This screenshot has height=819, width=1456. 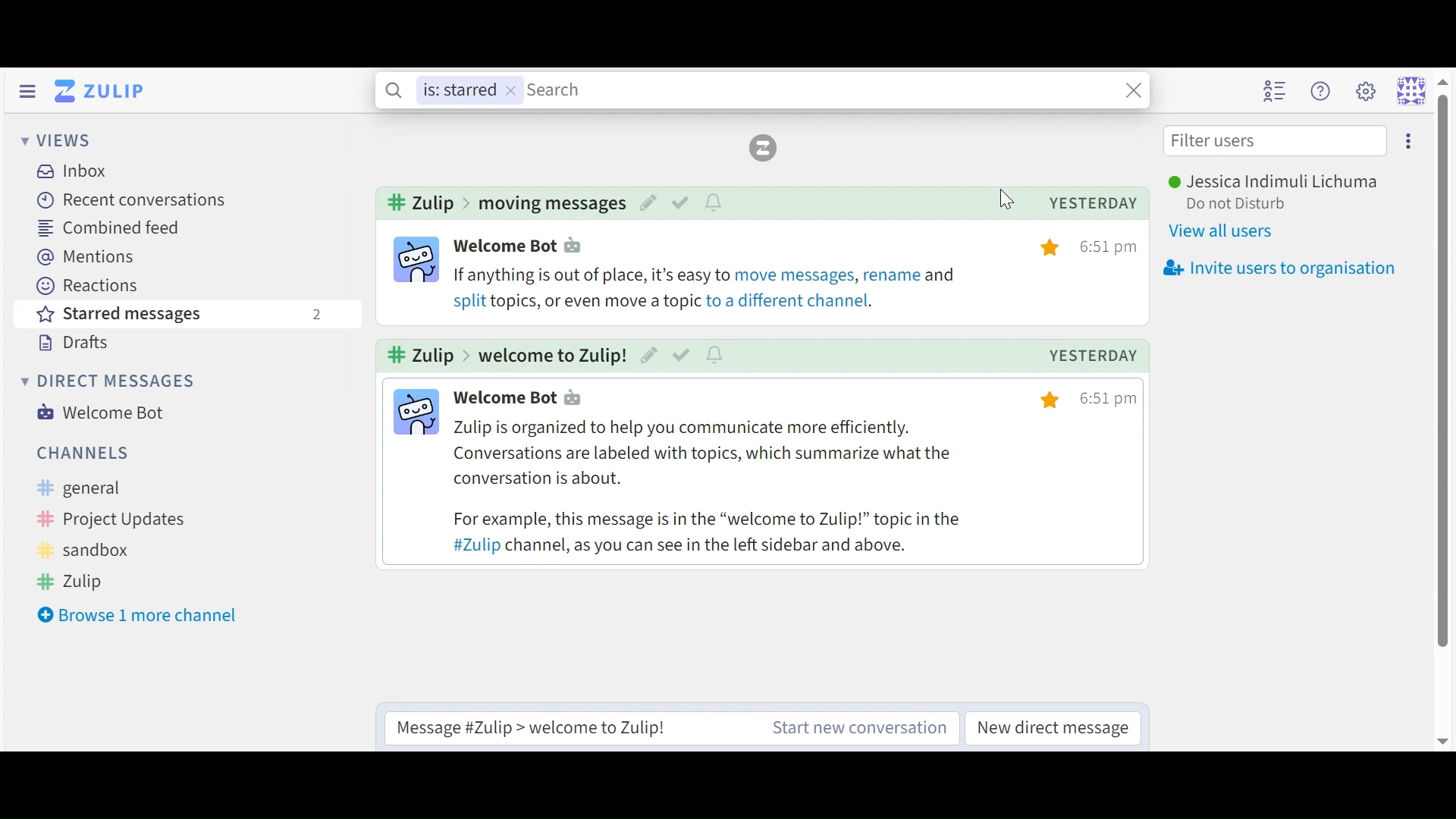 I want to click on Search, so click(x=533, y=92).